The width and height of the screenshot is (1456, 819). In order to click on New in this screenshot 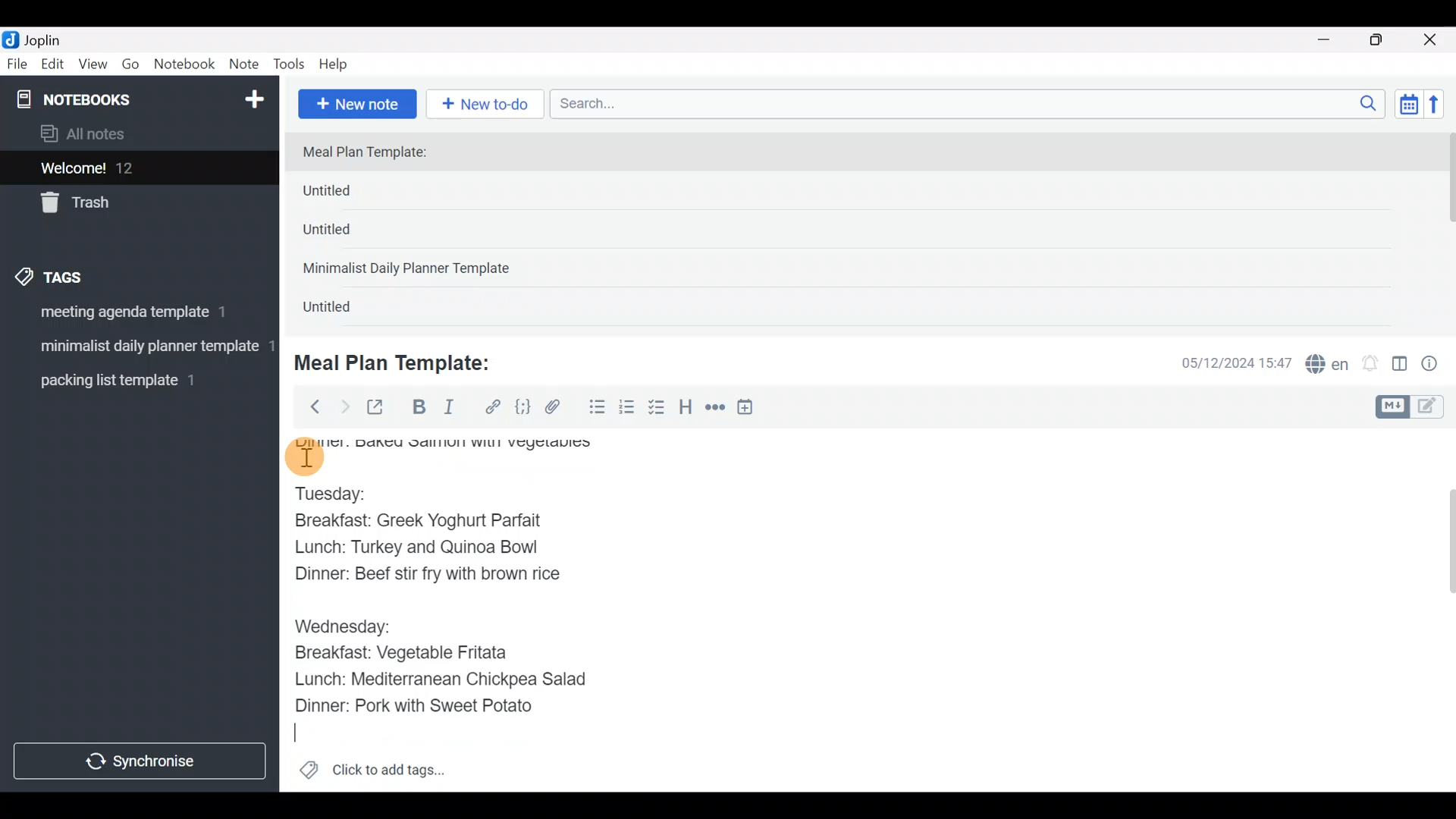, I will do `click(253, 96)`.